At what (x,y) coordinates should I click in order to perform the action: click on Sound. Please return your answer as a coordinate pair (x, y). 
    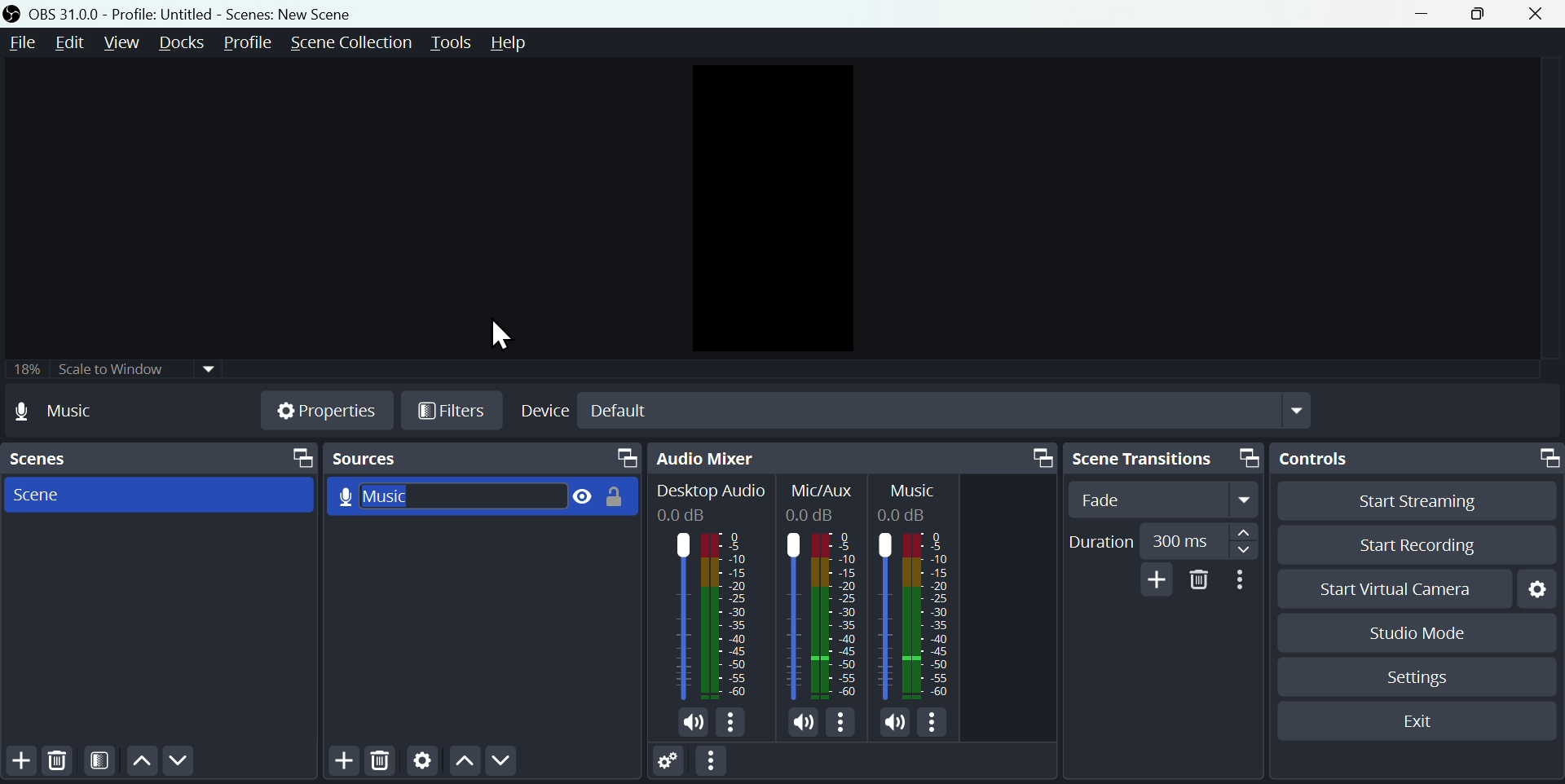
    Looking at the image, I should click on (804, 723).